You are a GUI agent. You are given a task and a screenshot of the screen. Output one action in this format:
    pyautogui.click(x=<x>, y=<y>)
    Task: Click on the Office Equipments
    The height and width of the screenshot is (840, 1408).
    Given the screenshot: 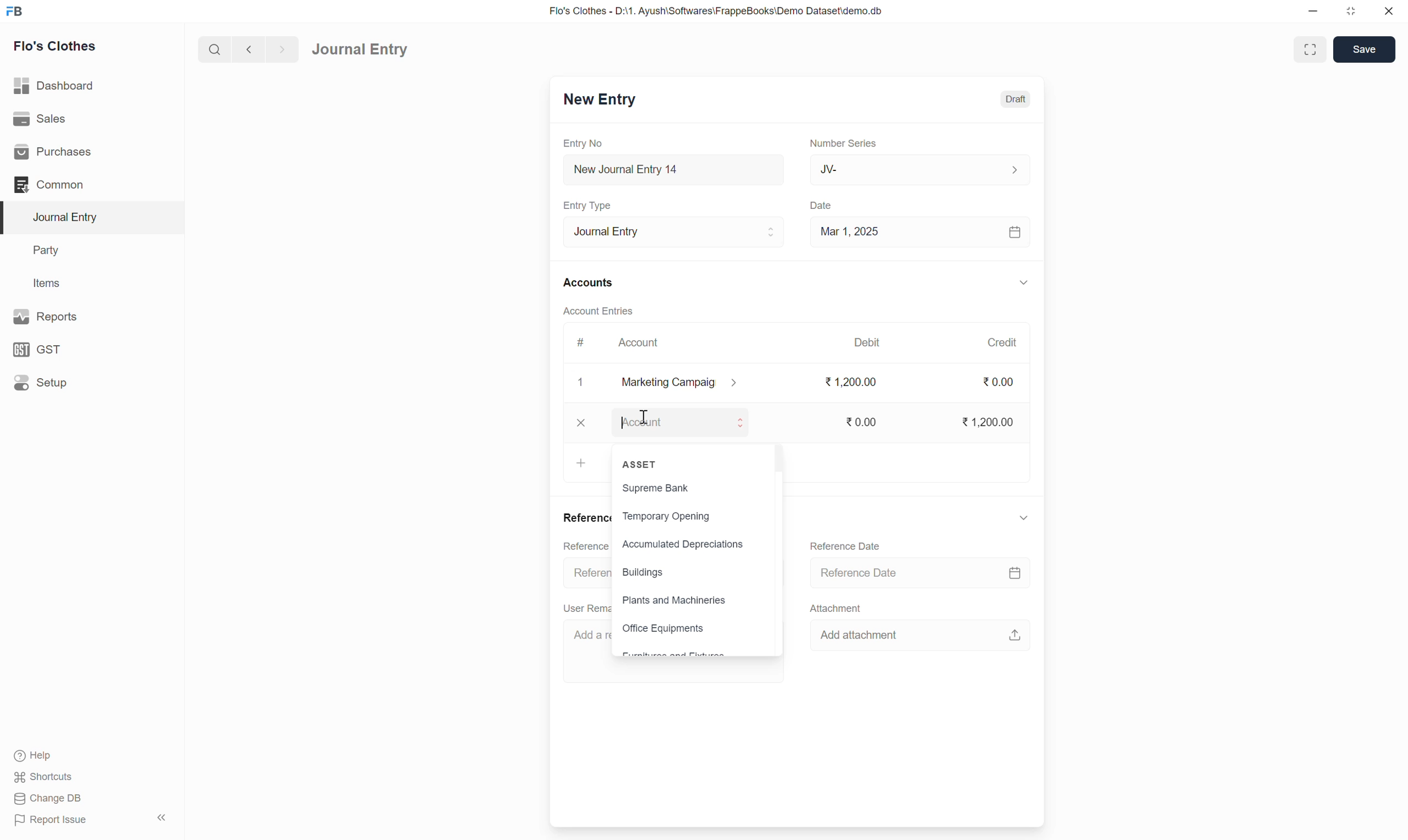 What is the action you would take?
    pyautogui.click(x=668, y=628)
    